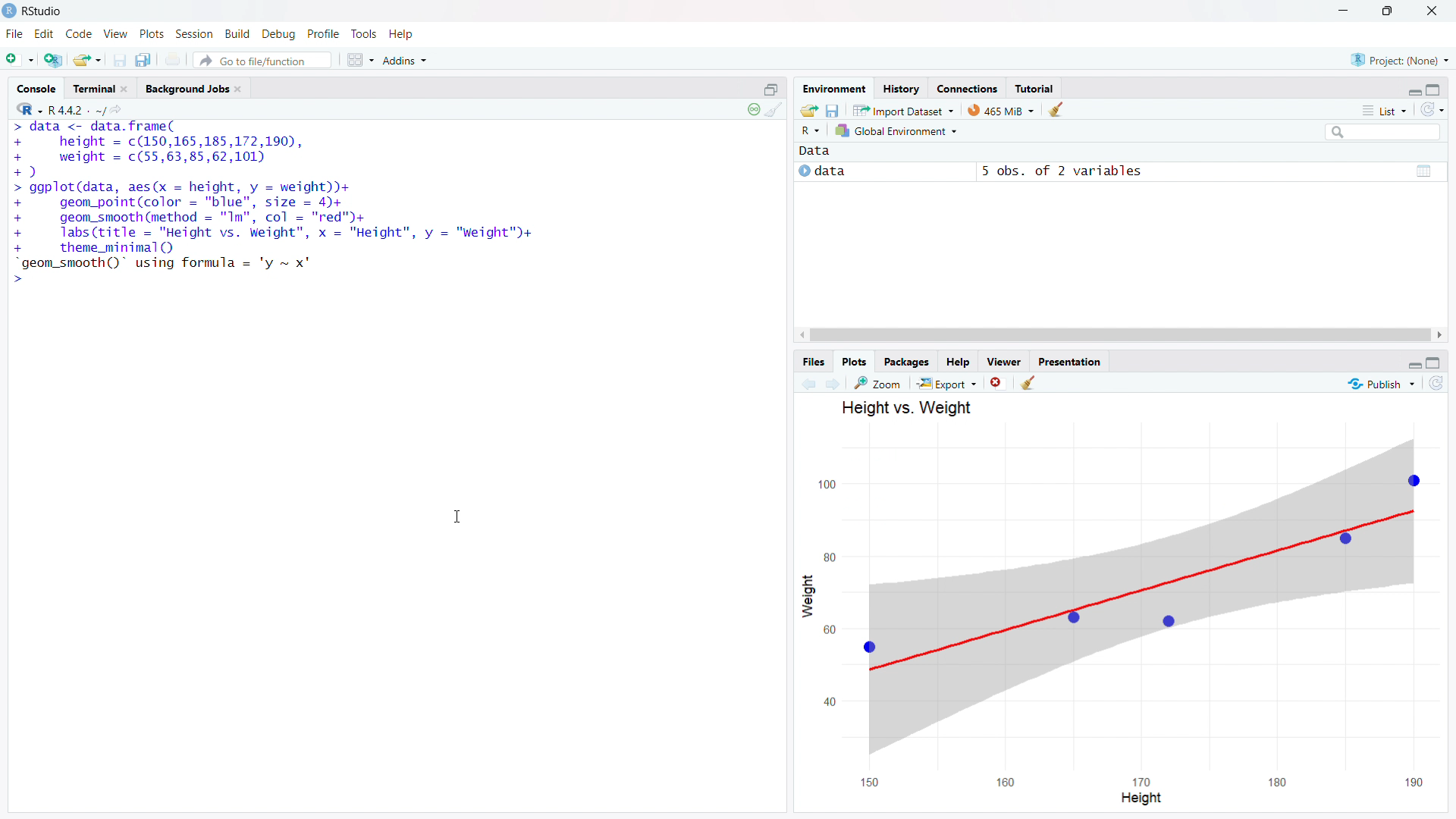 The image size is (1456, 819). What do you see at coordinates (406, 60) in the screenshot?
I see `addins` at bounding box center [406, 60].